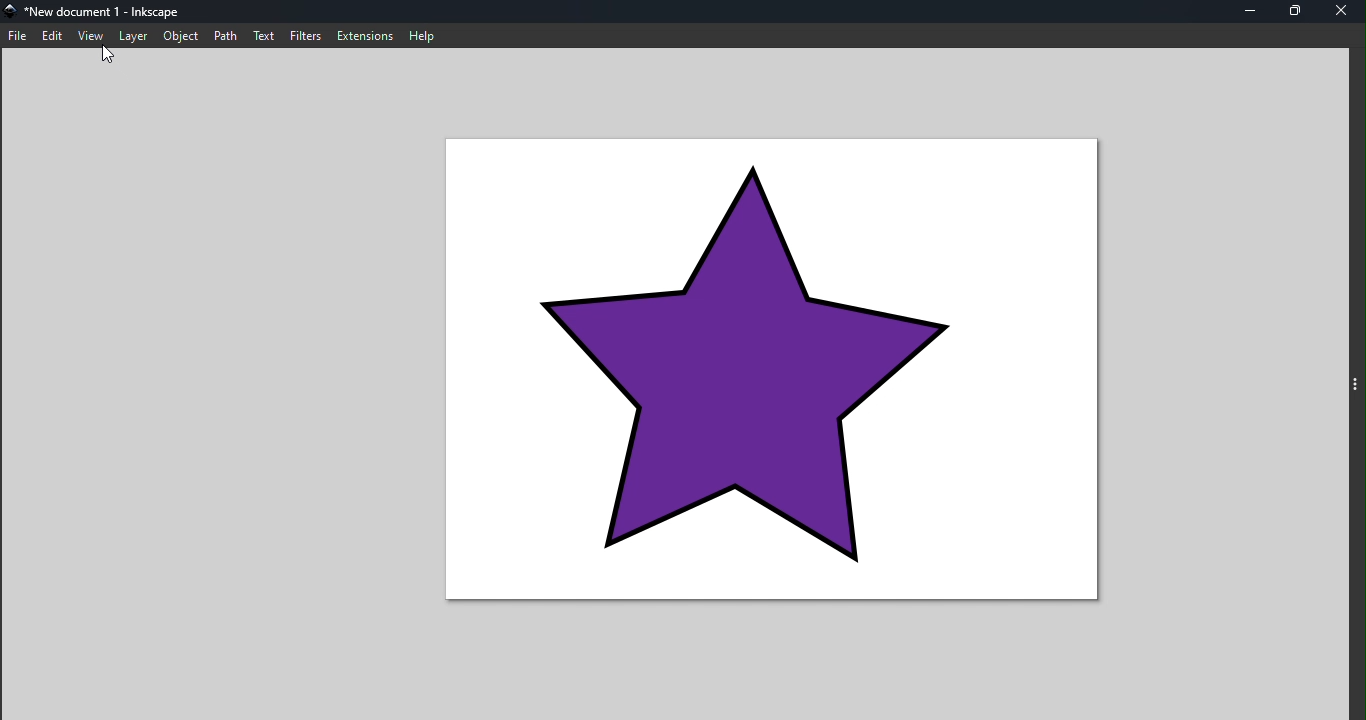  What do you see at coordinates (55, 36) in the screenshot?
I see `Edit` at bounding box center [55, 36].